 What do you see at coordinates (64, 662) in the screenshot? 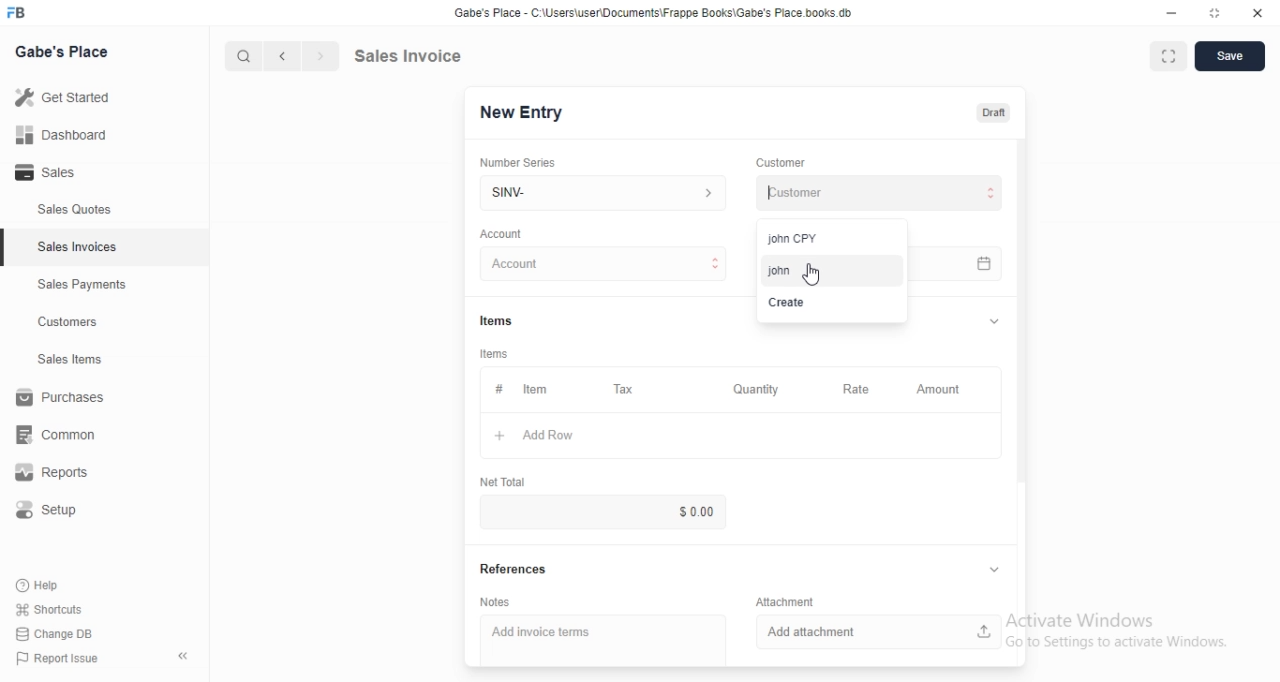
I see `PP Report Issue.` at bounding box center [64, 662].